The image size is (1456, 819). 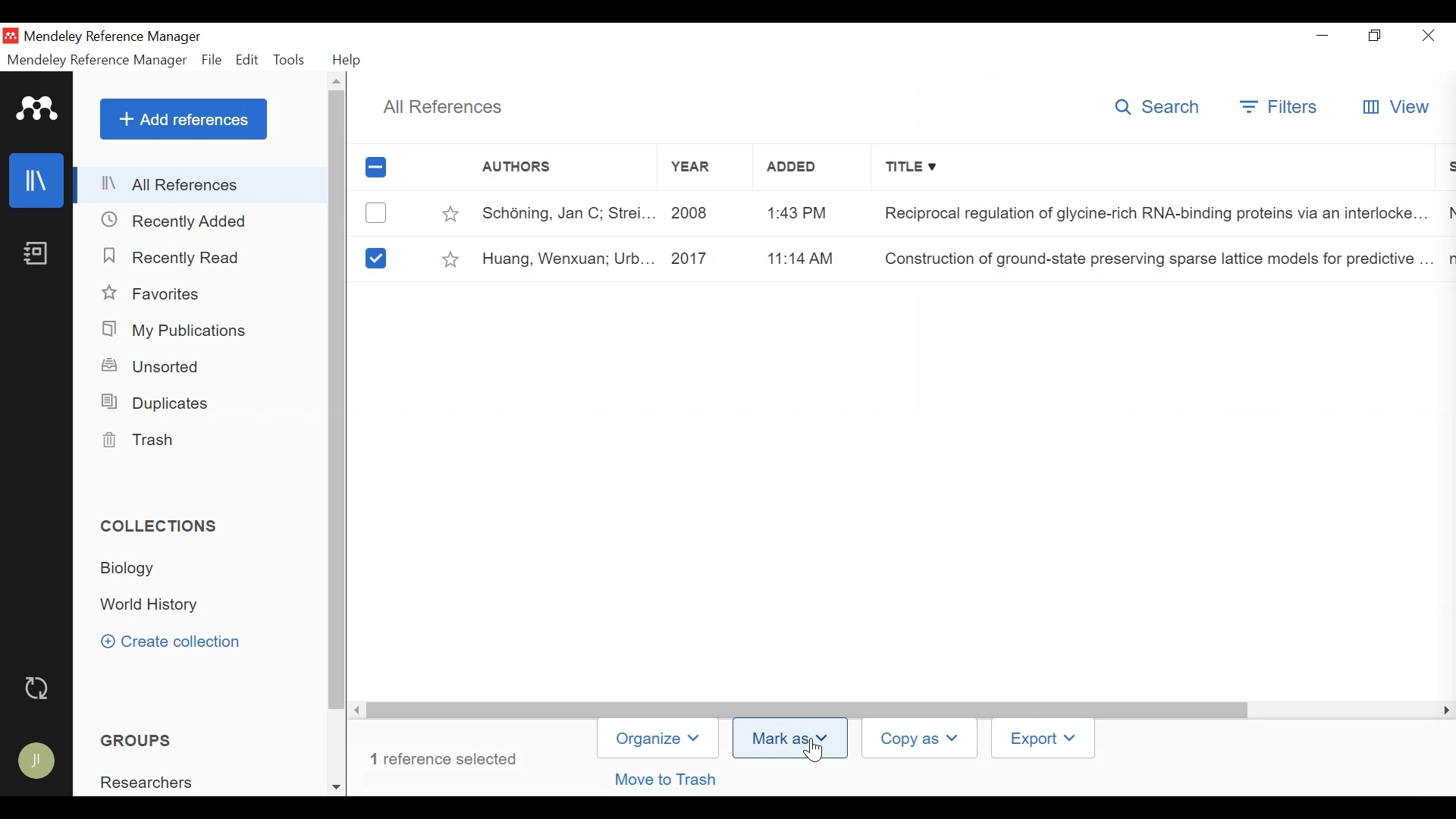 I want to click on 2017, so click(x=697, y=258).